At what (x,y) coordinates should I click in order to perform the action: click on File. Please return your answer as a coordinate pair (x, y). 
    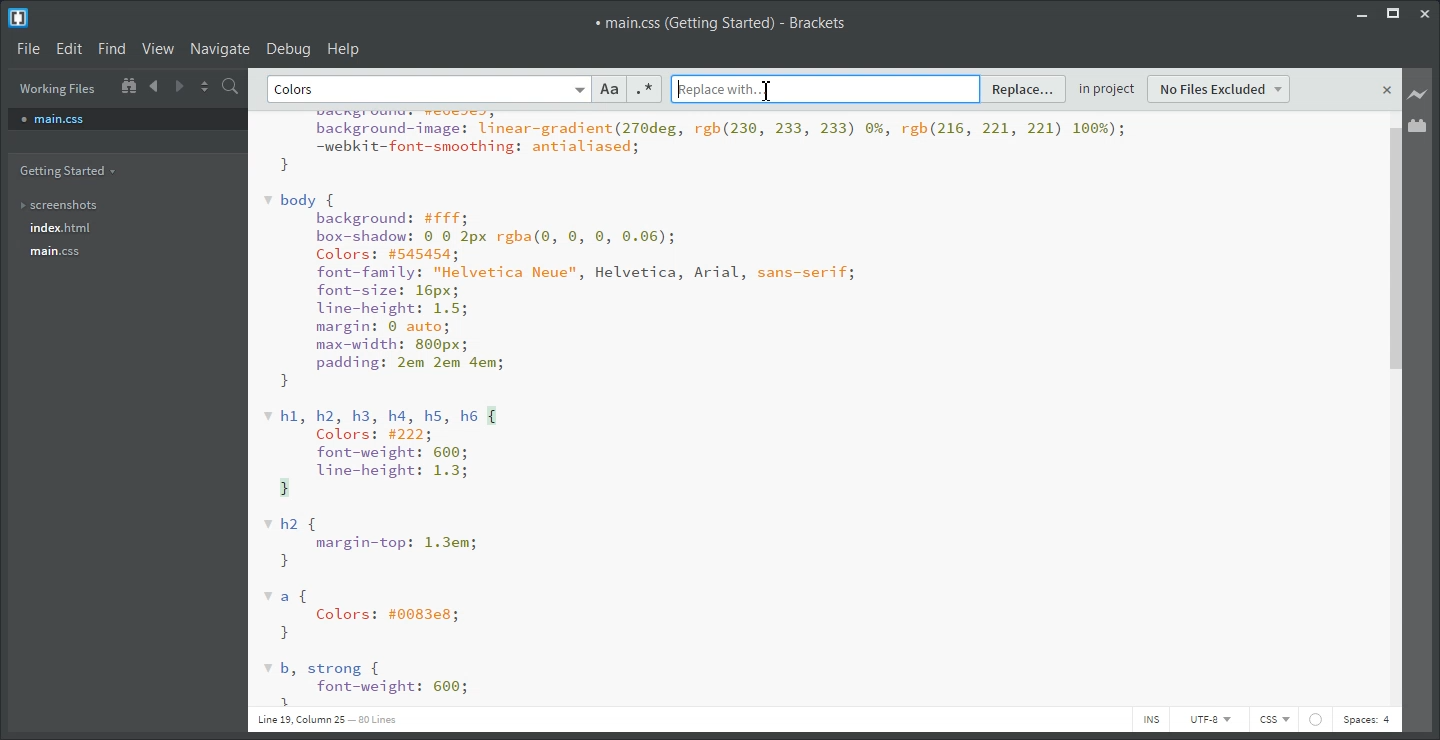
    Looking at the image, I should click on (27, 47).